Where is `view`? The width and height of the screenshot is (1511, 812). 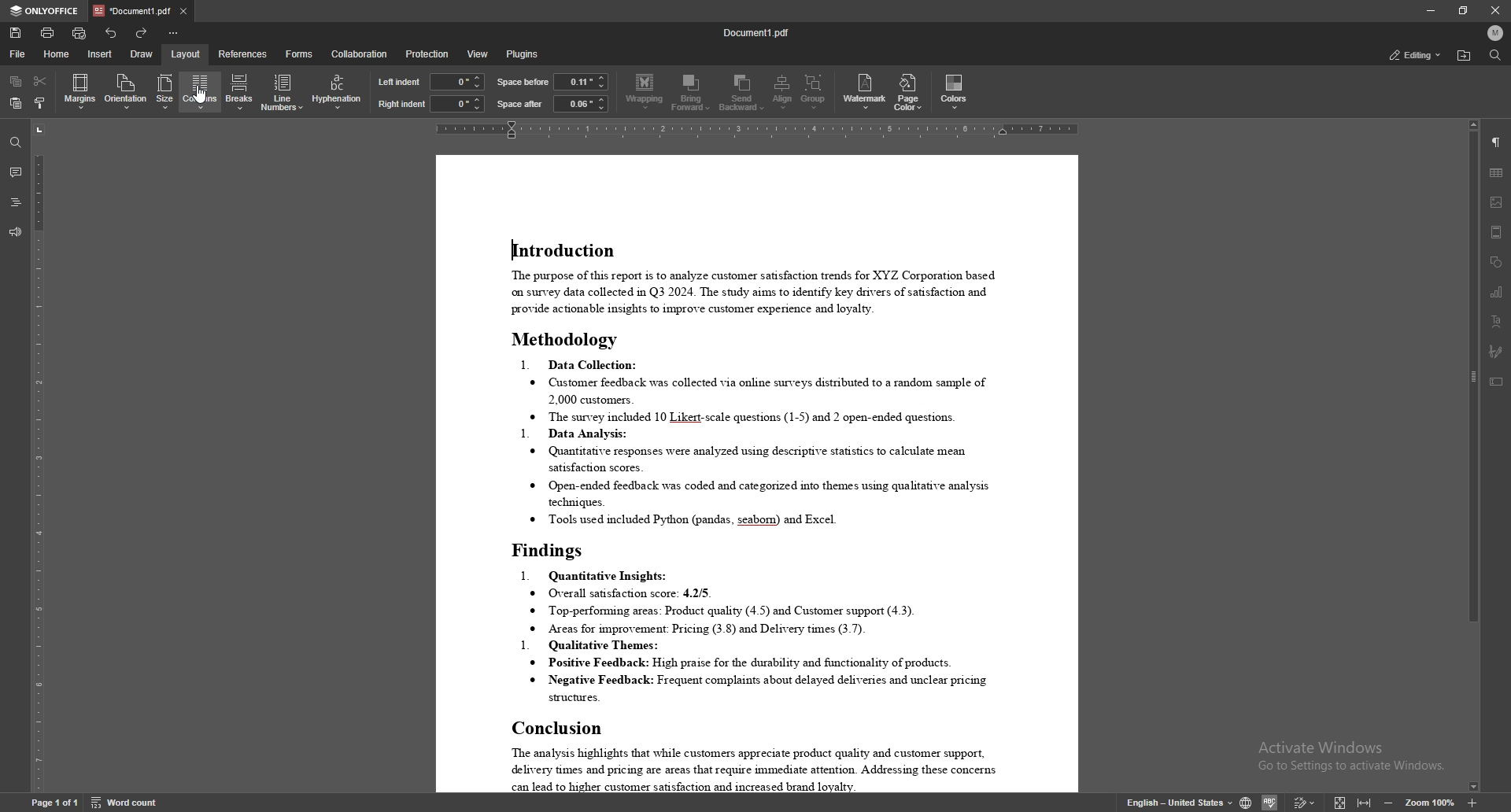
view is located at coordinates (478, 54).